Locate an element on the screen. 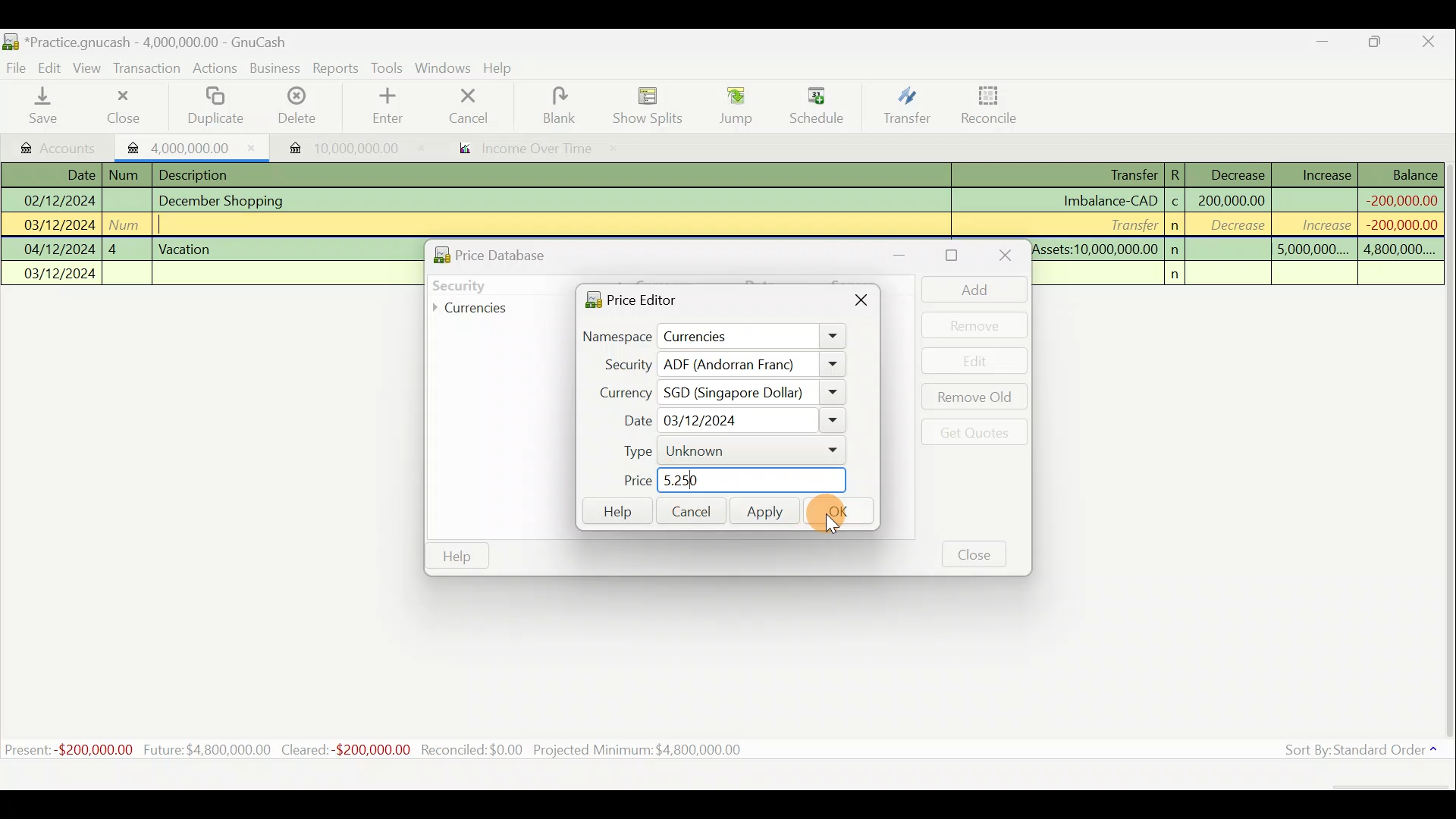 This screenshot has width=1456, height=819. n is located at coordinates (1180, 275).